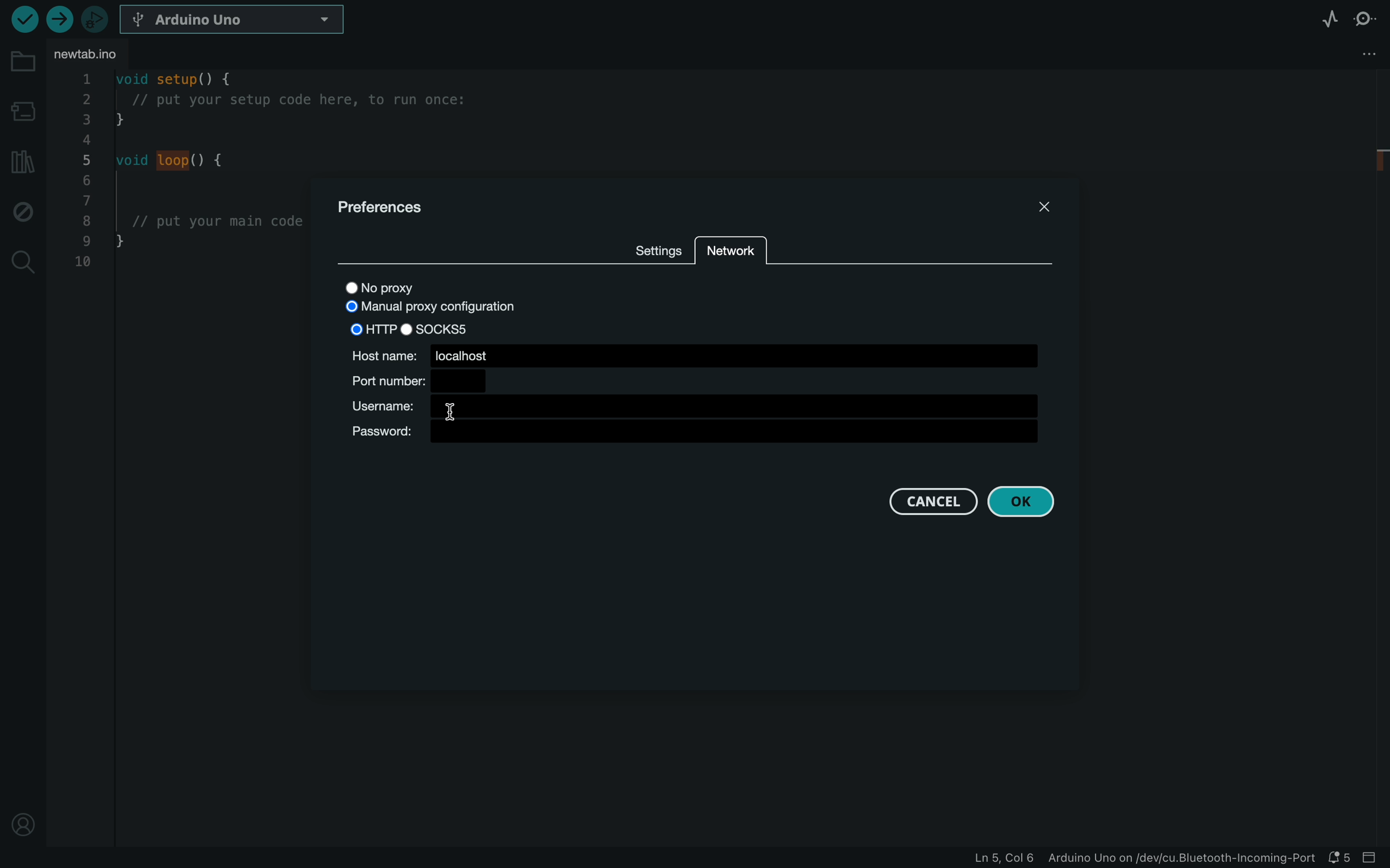 The width and height of the screenshot is (1390, 868). I want to click on manual proxy, so click(439, 309).